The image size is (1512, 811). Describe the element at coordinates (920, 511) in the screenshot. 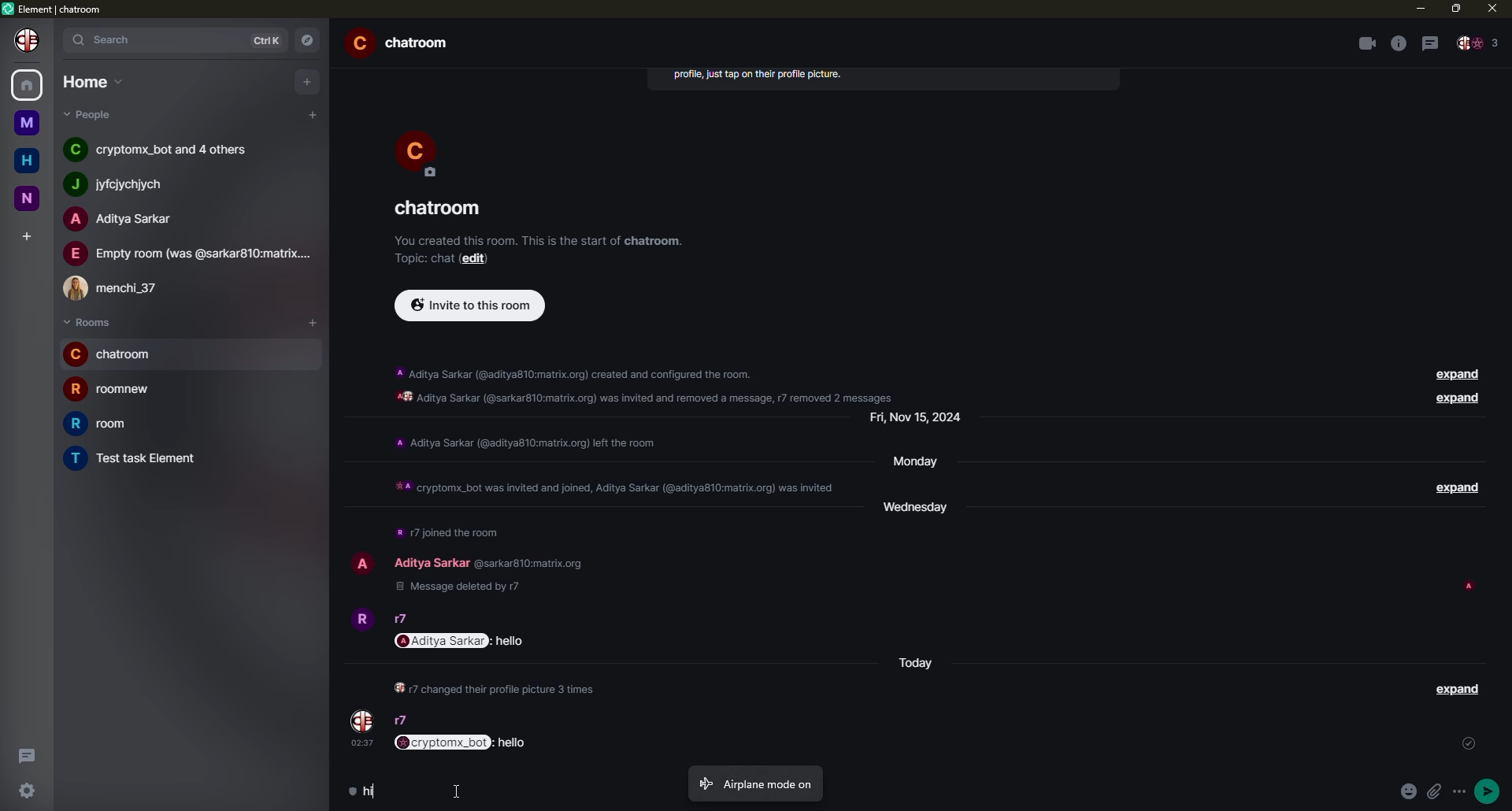

I see `day` at that location.